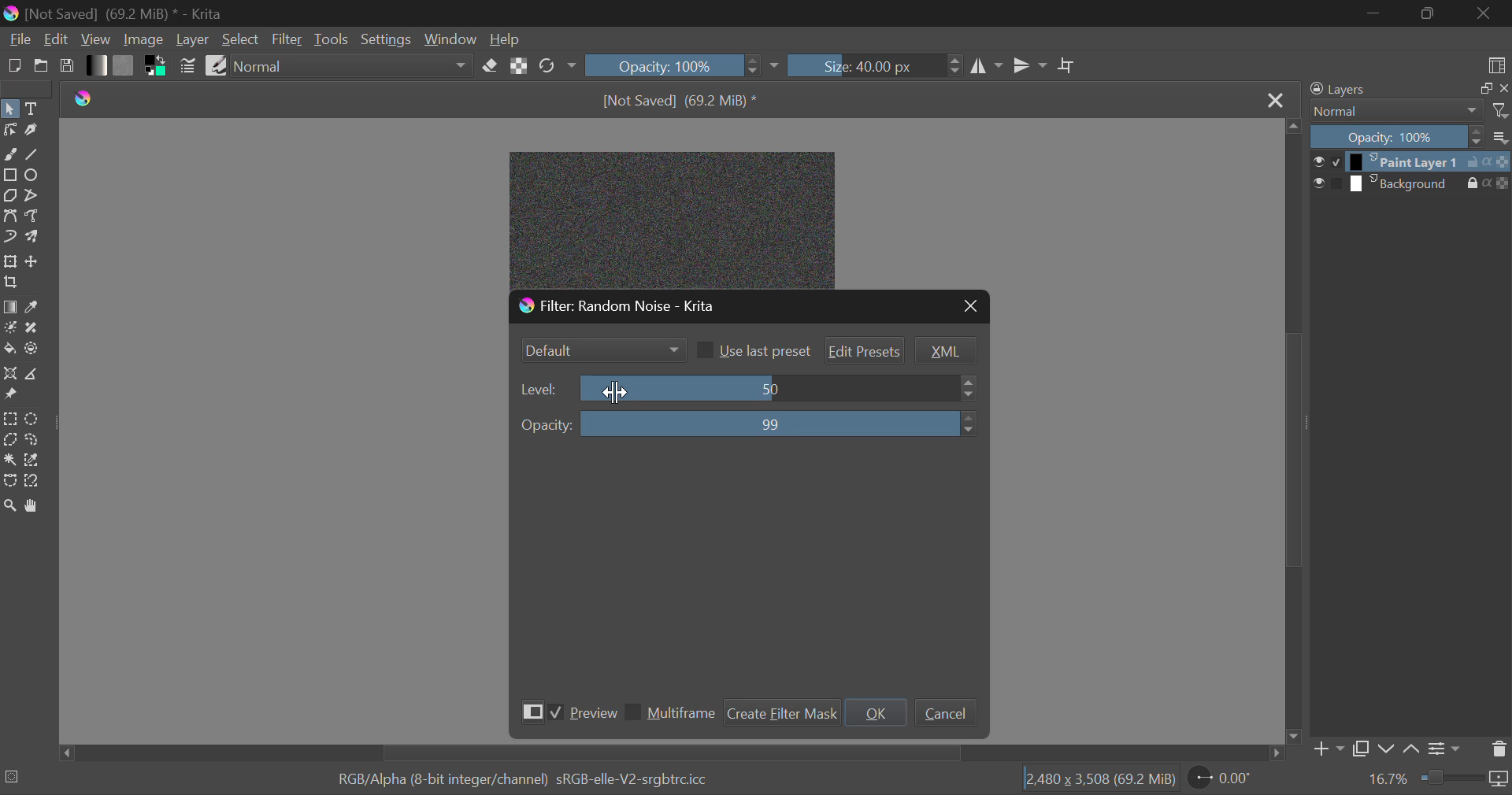  I want to click on Dynamic Brush Tool, so click(9, 238).